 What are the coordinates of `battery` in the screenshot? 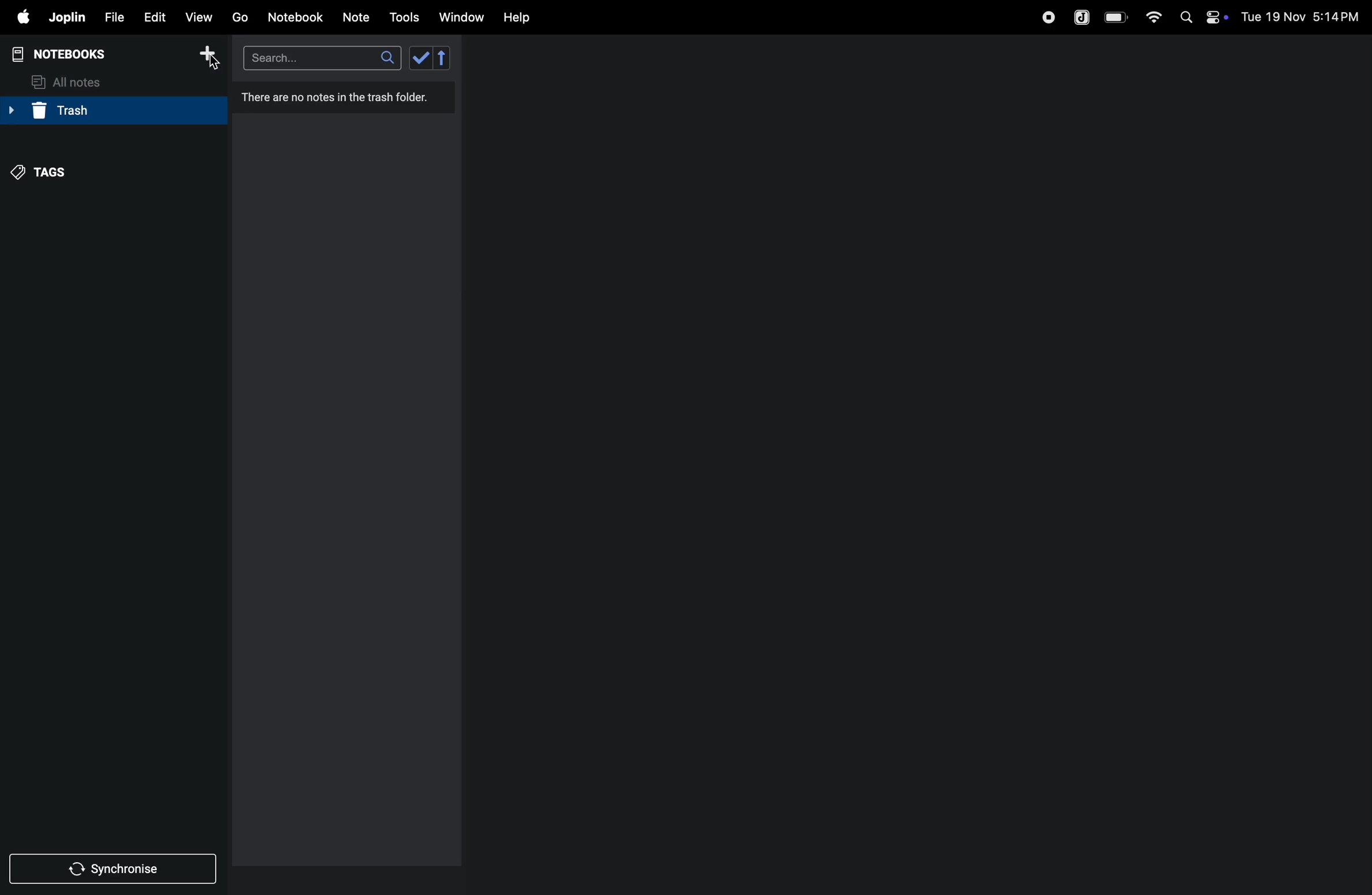 It's located at (1117, 17).